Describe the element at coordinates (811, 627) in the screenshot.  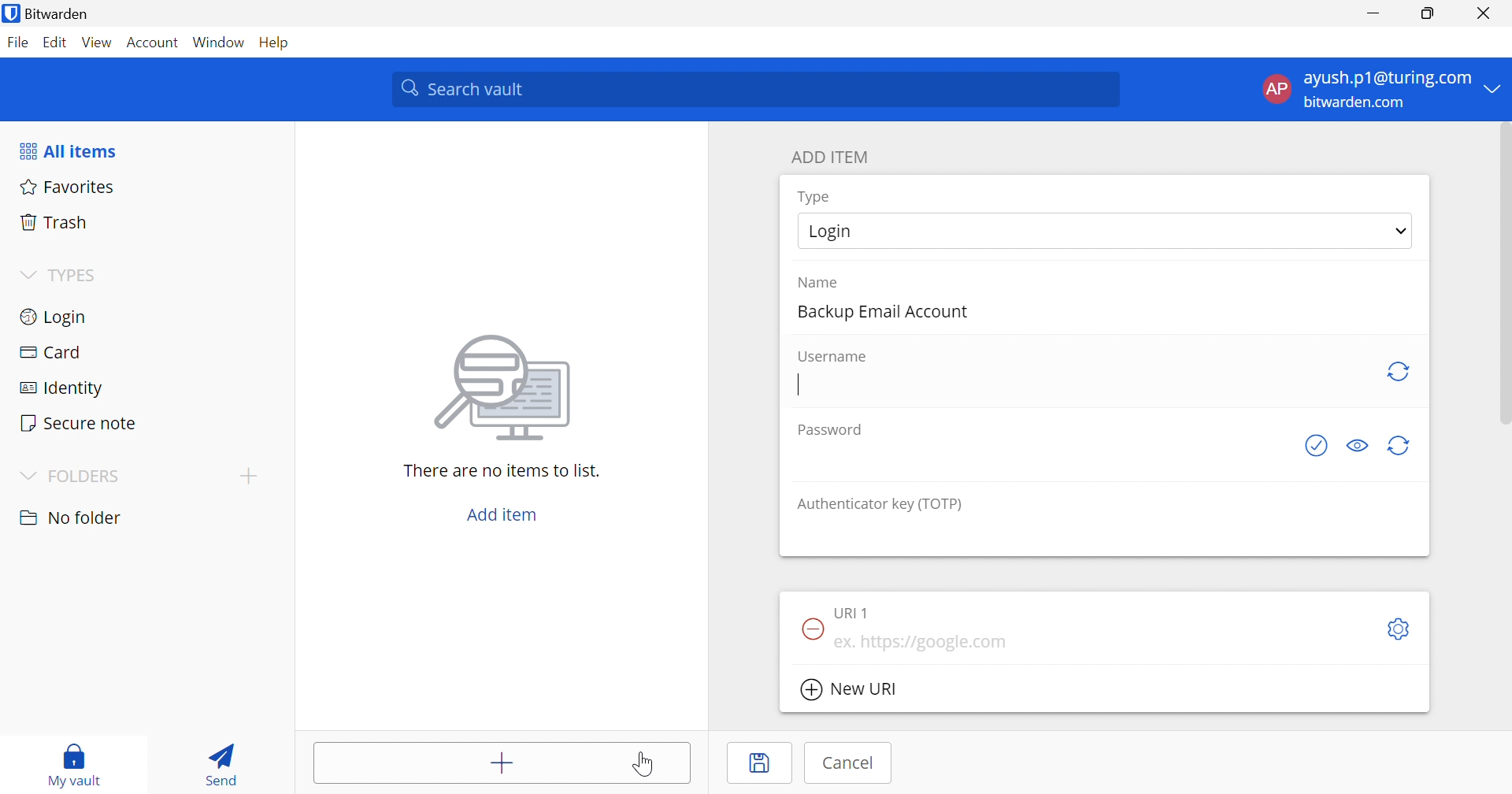
I see `Remove` at that location.